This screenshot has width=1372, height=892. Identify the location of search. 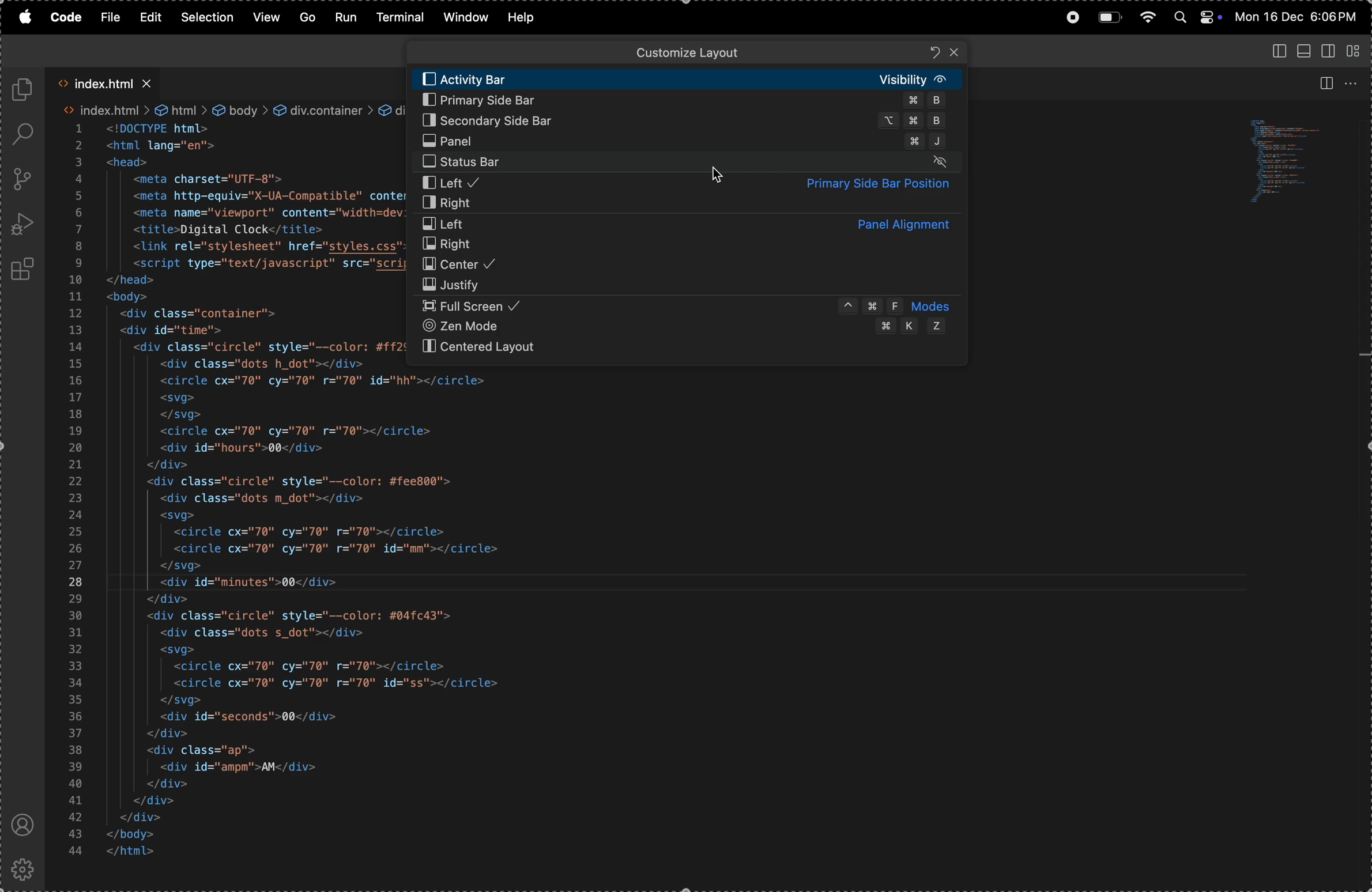
(27, 134).